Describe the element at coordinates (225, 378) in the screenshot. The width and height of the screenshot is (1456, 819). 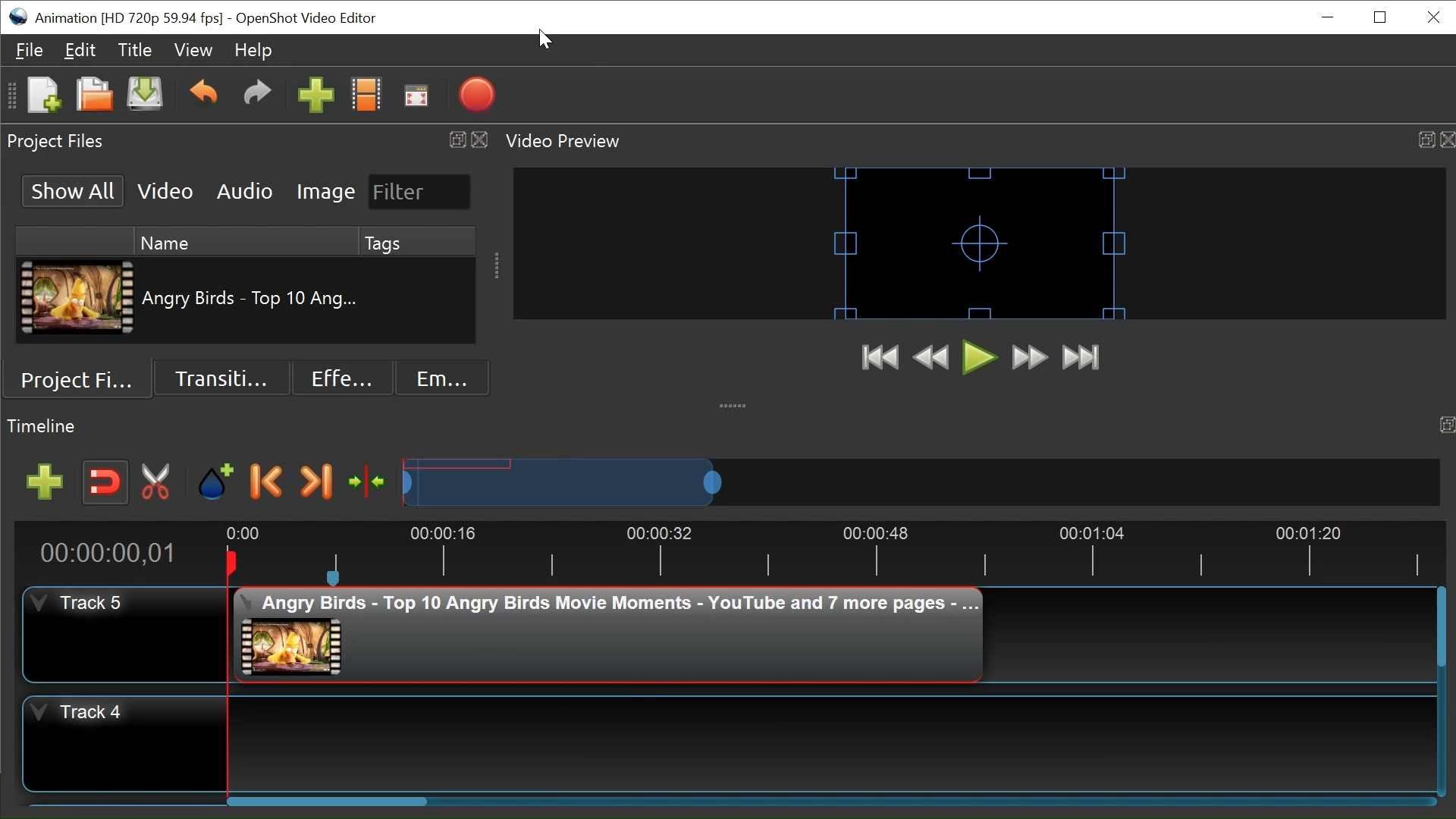
I see `Transition` at that location.